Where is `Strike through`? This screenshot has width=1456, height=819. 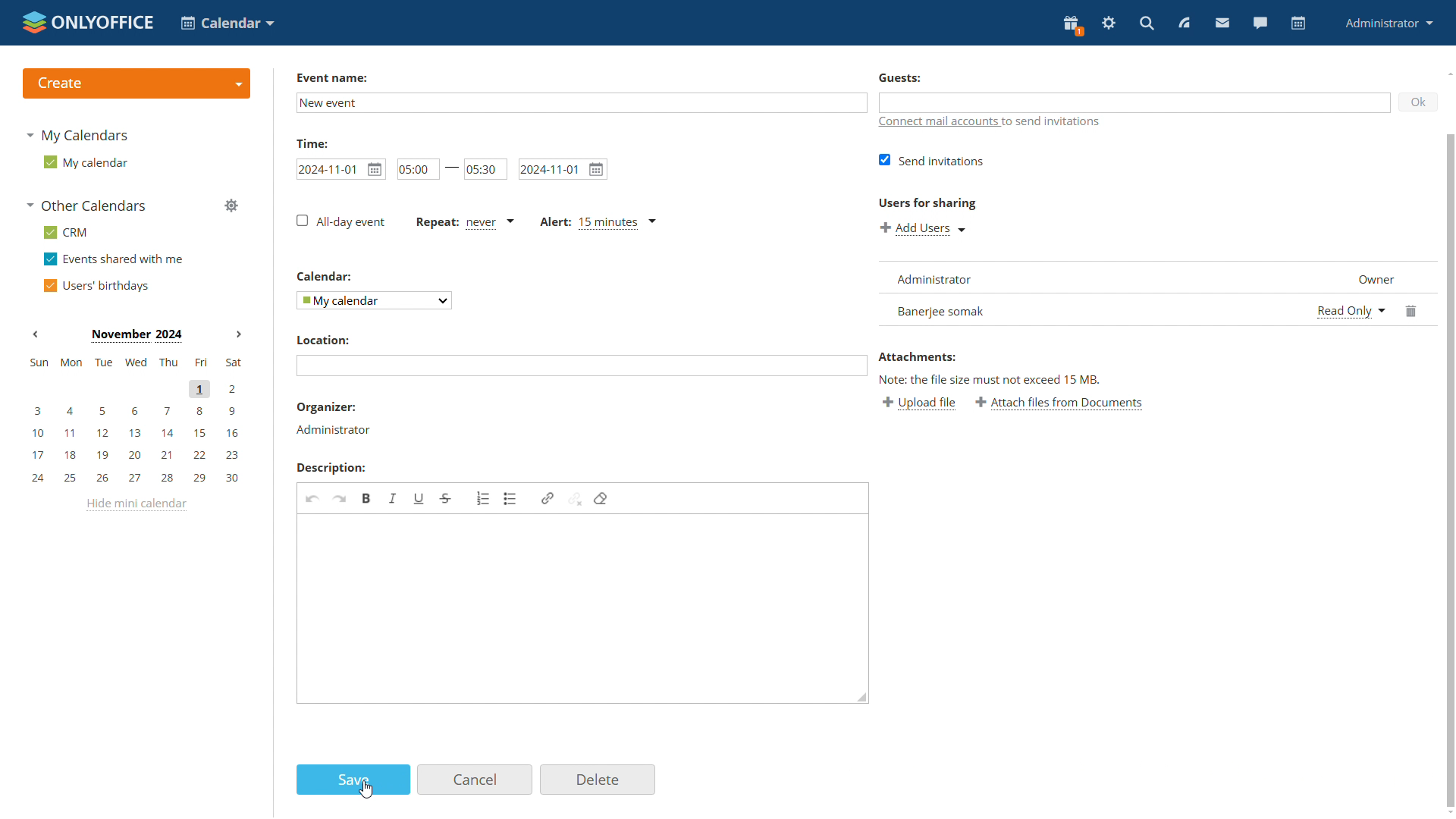
Strike through is located at coordinates (447, 499).